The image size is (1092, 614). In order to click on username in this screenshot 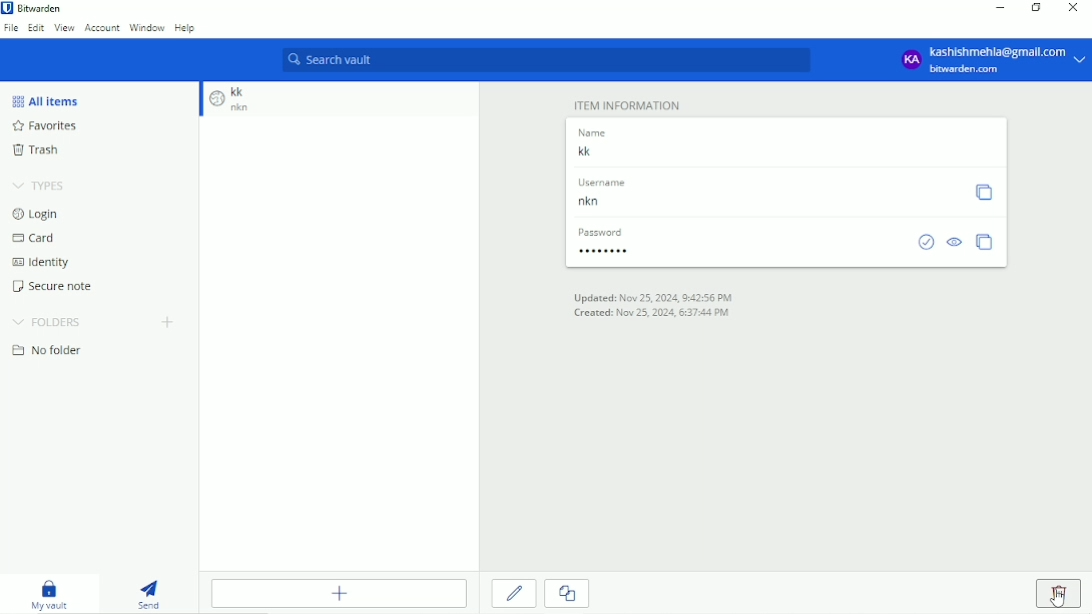, I will do `click(601, 183)`.